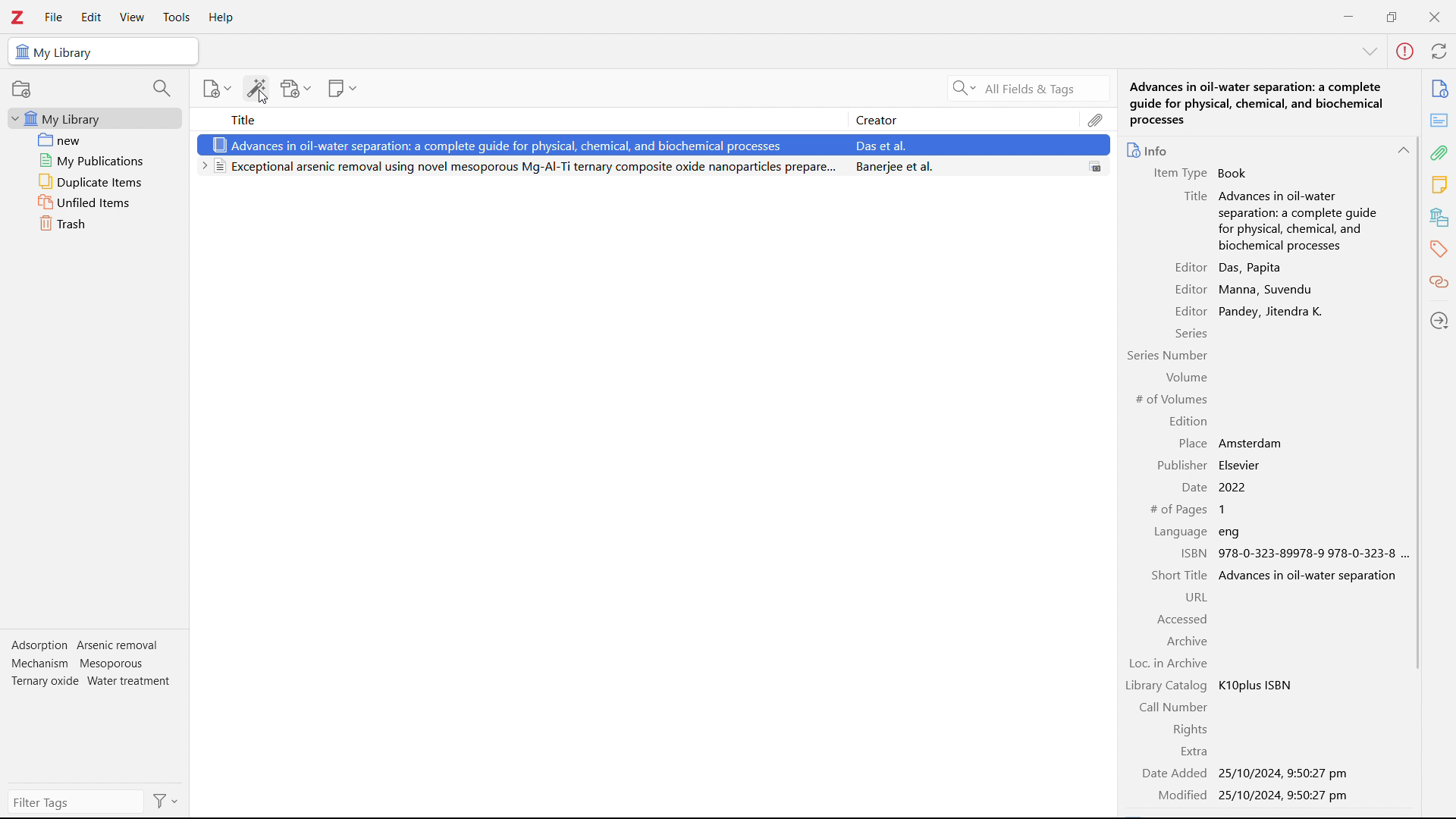 The height and width of the screenshot is (819, 1456). What do you see at coordinates (52, 17) in the screenshot?
I see `file` at bounding box center [52, 17].